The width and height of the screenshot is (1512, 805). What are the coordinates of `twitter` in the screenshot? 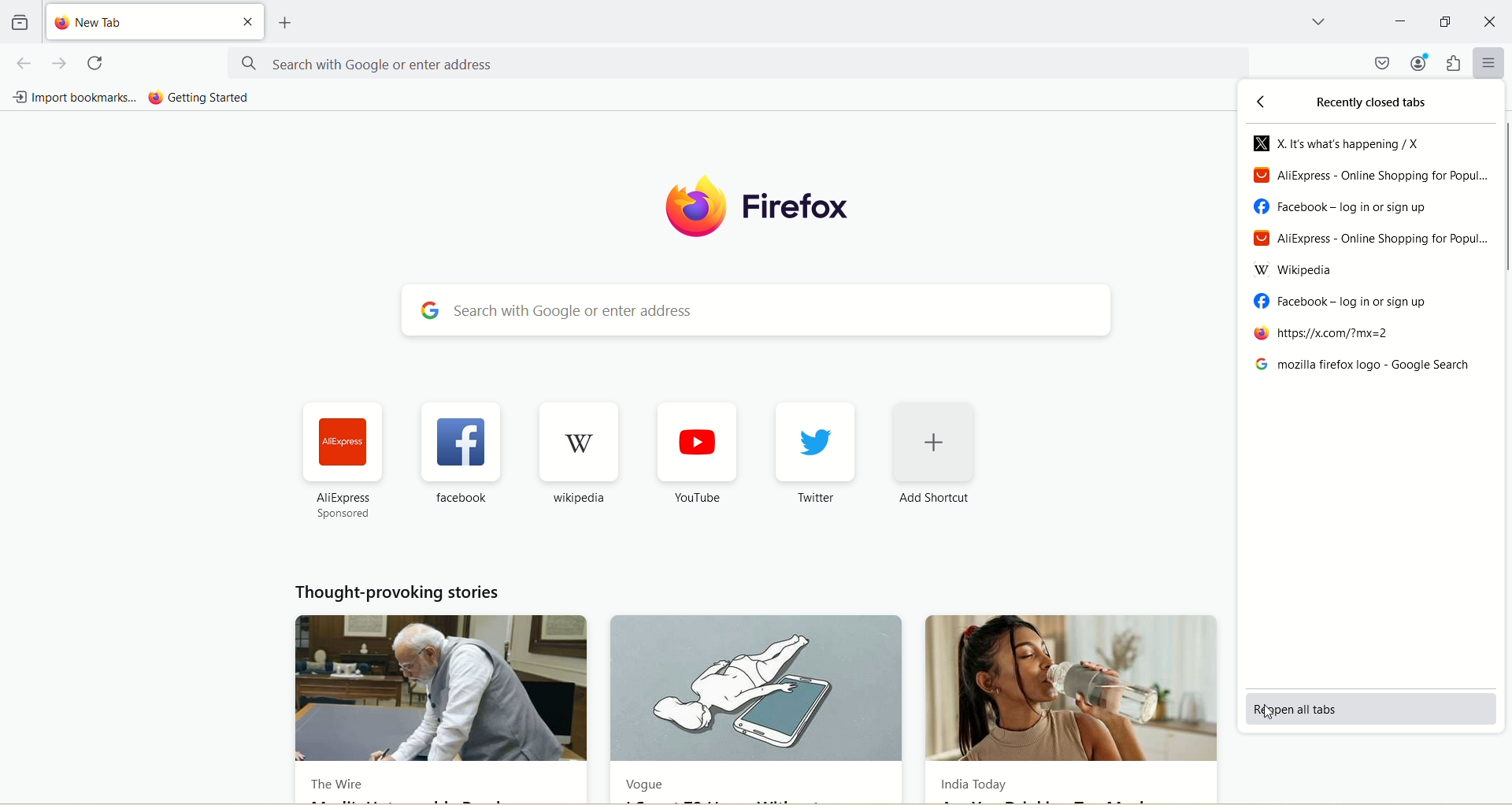 It's located at (815, 440).